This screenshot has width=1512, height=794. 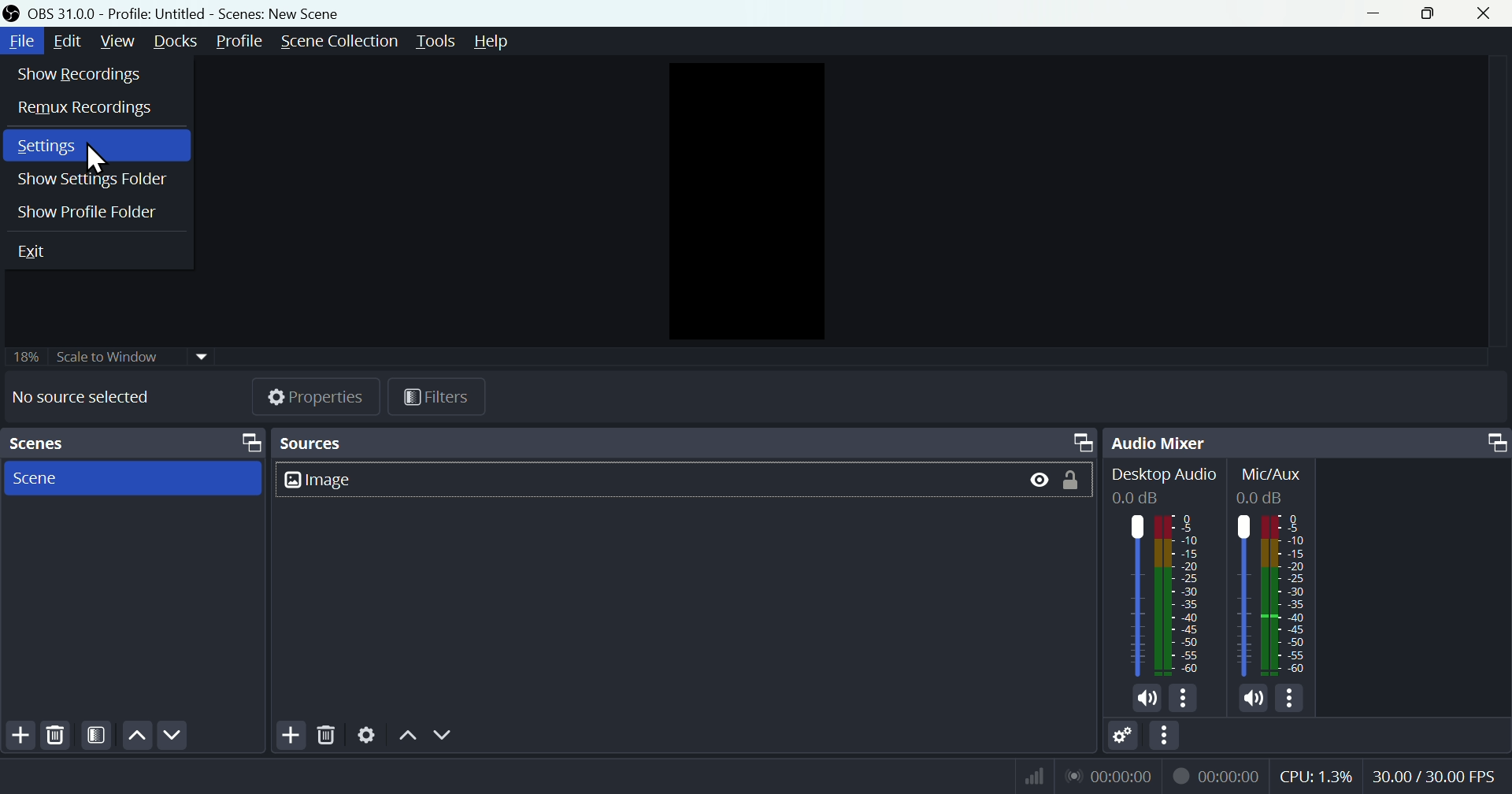 What do you see at coordinates (240, 43) in the screenshot?
I see `Profile` at bounding box center [240, 43].